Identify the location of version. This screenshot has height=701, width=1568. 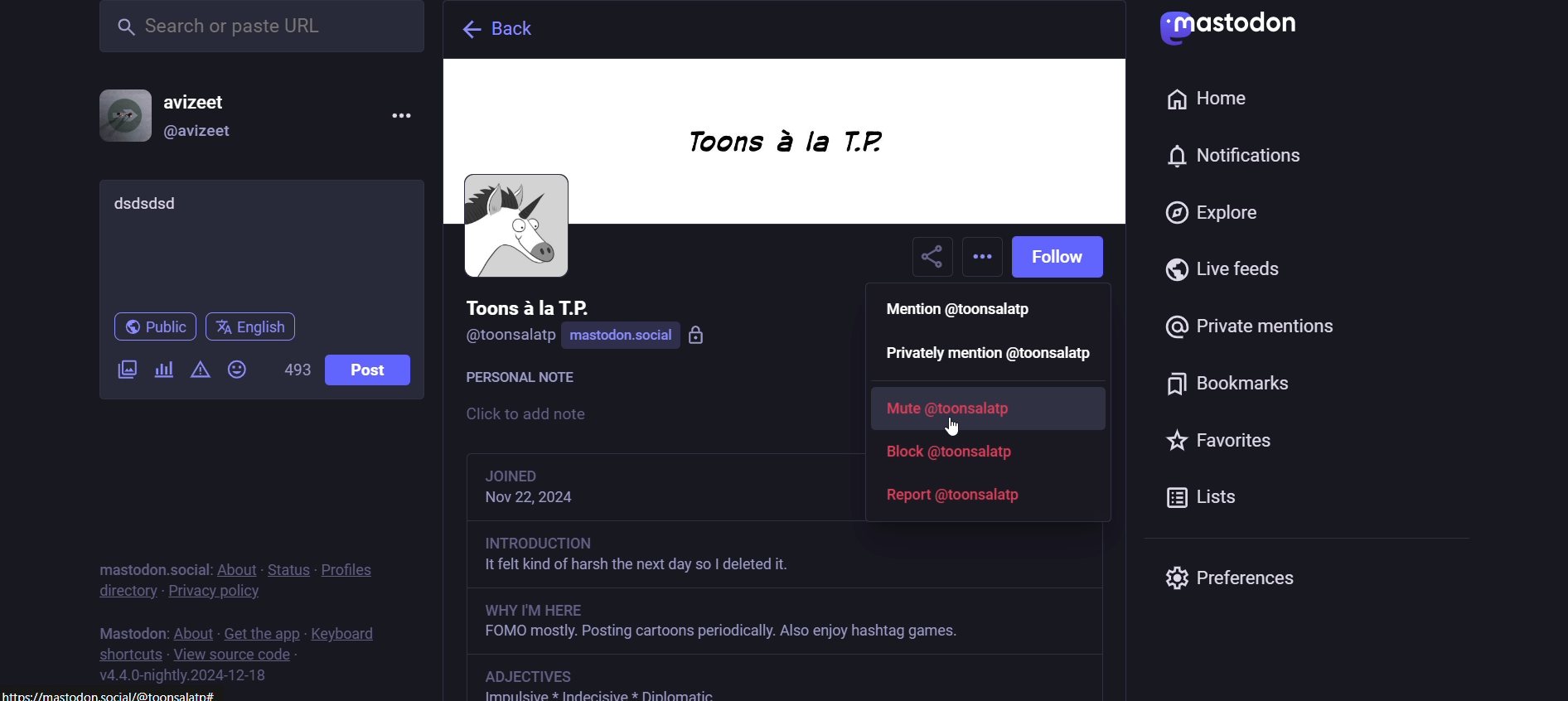
(191, 676).